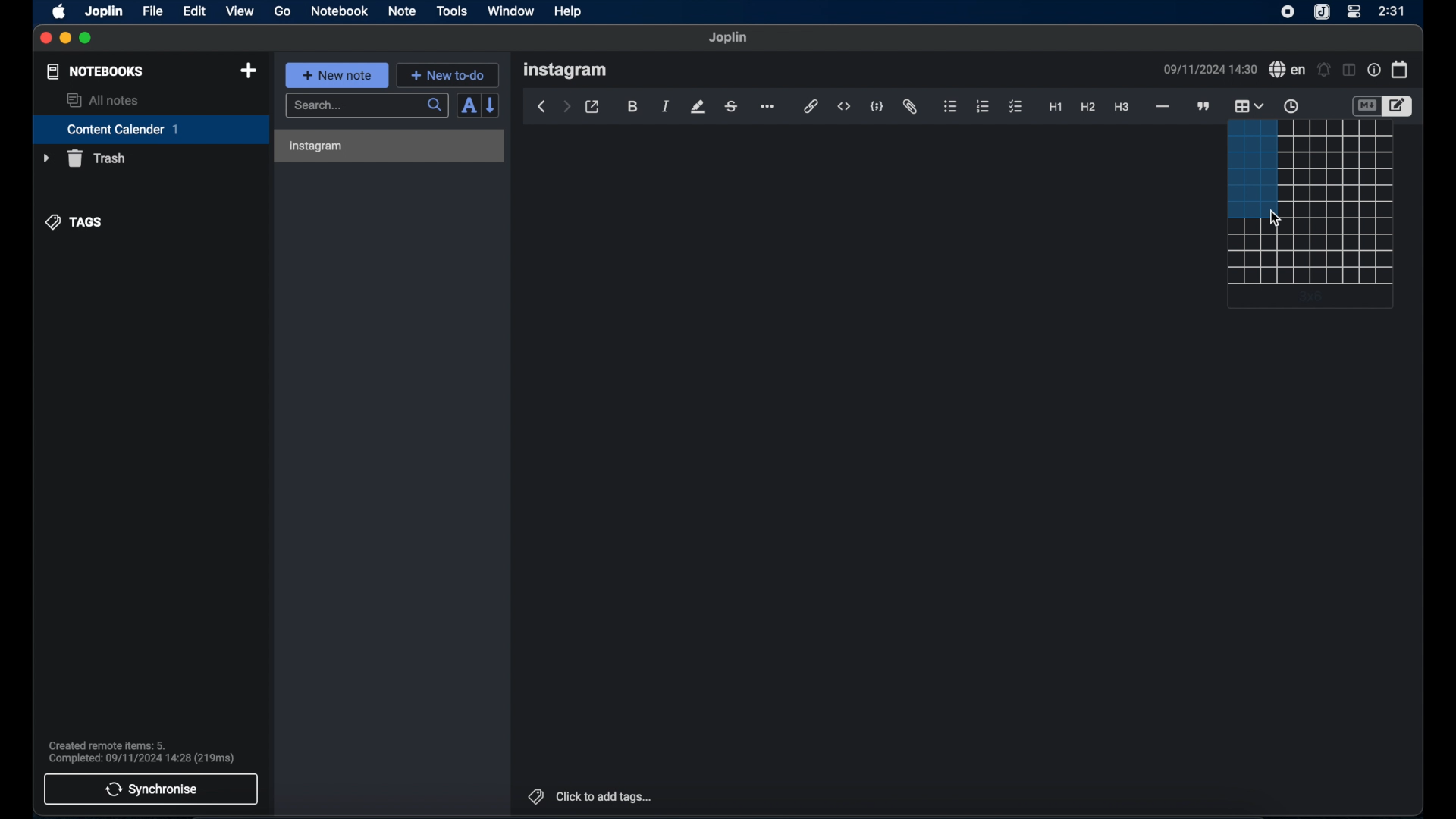 The image size is (1456, 819). What do you see at coordinates (1288, 13) in the screenshot?
I see `screen recorder icon` at bounding box center [1288, 13].